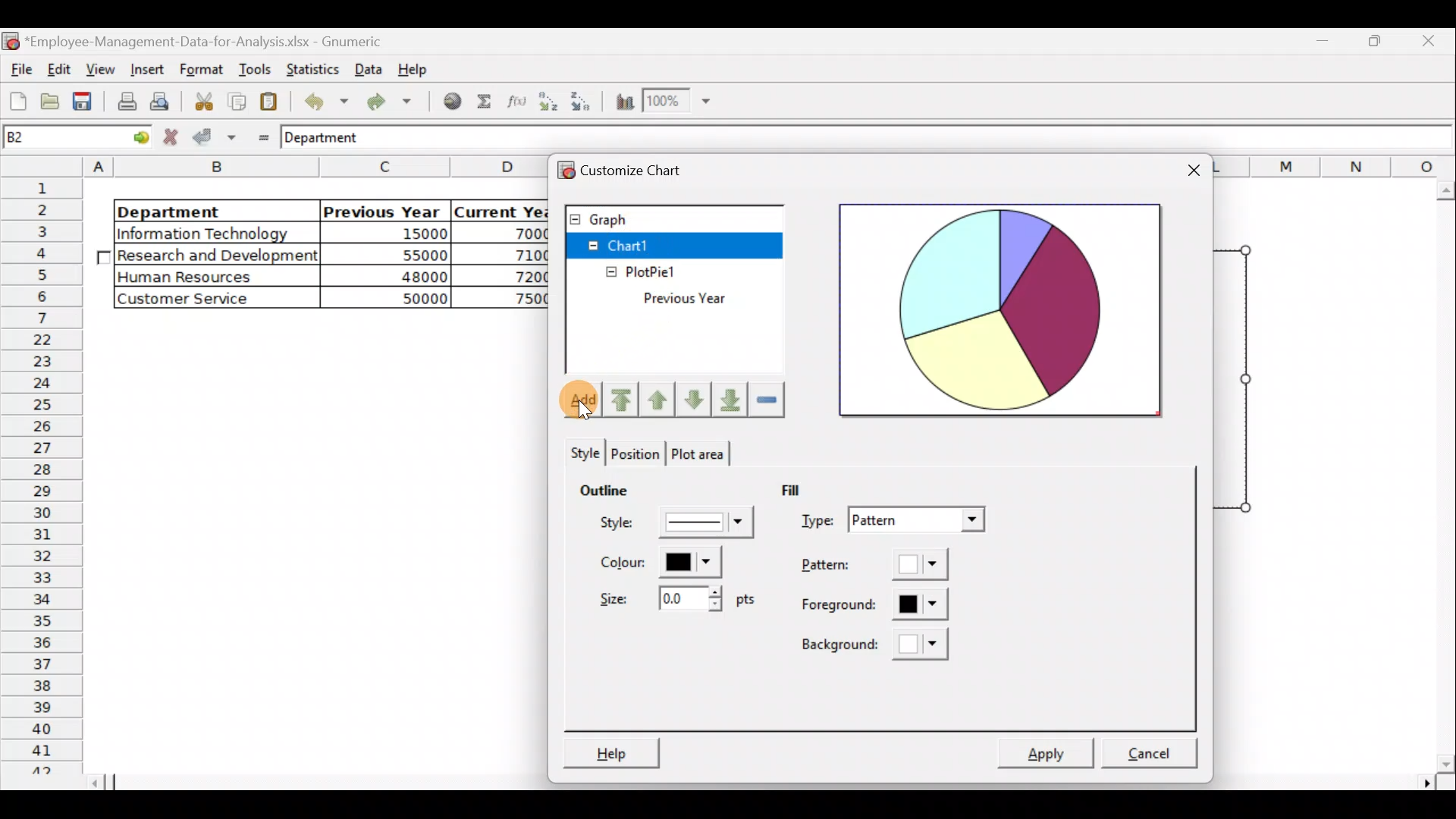 The width and height of the screenshot is (1456, 819). What do you see at coordinates (146, 68) in the screenshot?
I see `Insert` at bounding box center [146, 68].